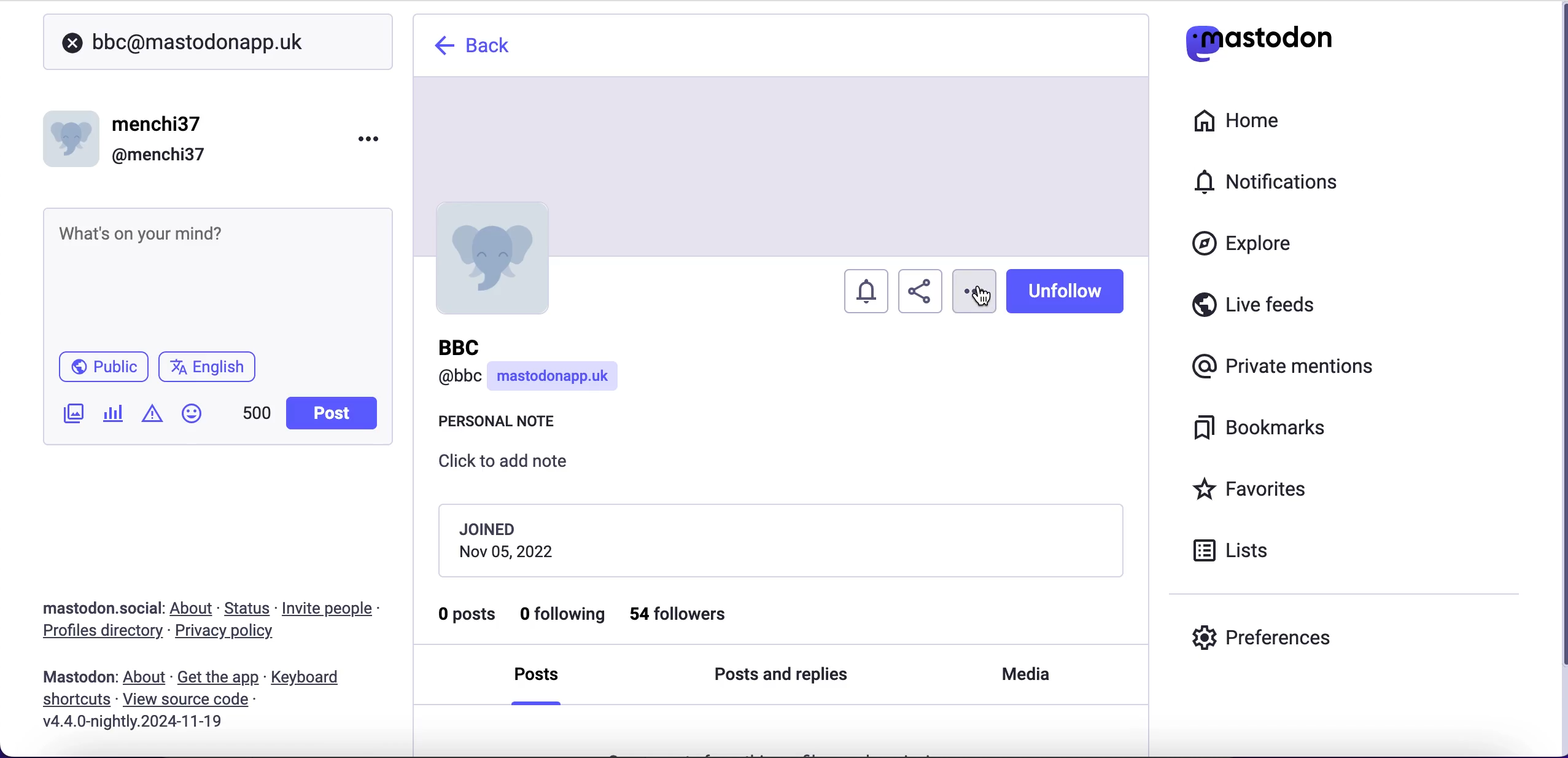 This screenshot has width=1568, height=758. What do you see at coordinates (112, 418) in the screenshot?
I see `add a poll` at bounding box center [112, 418].